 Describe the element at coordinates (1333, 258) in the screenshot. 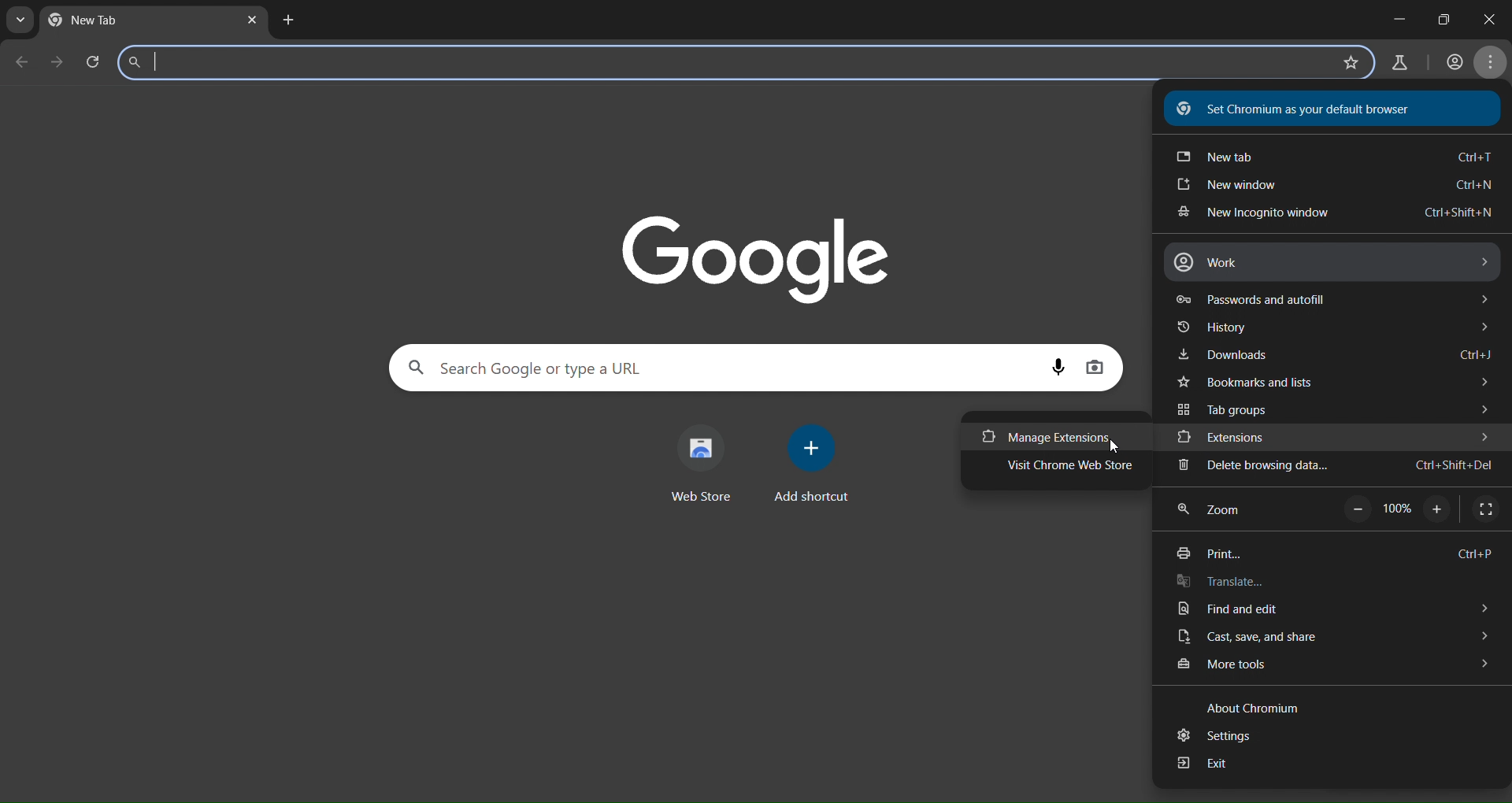

I see `work` at that location.